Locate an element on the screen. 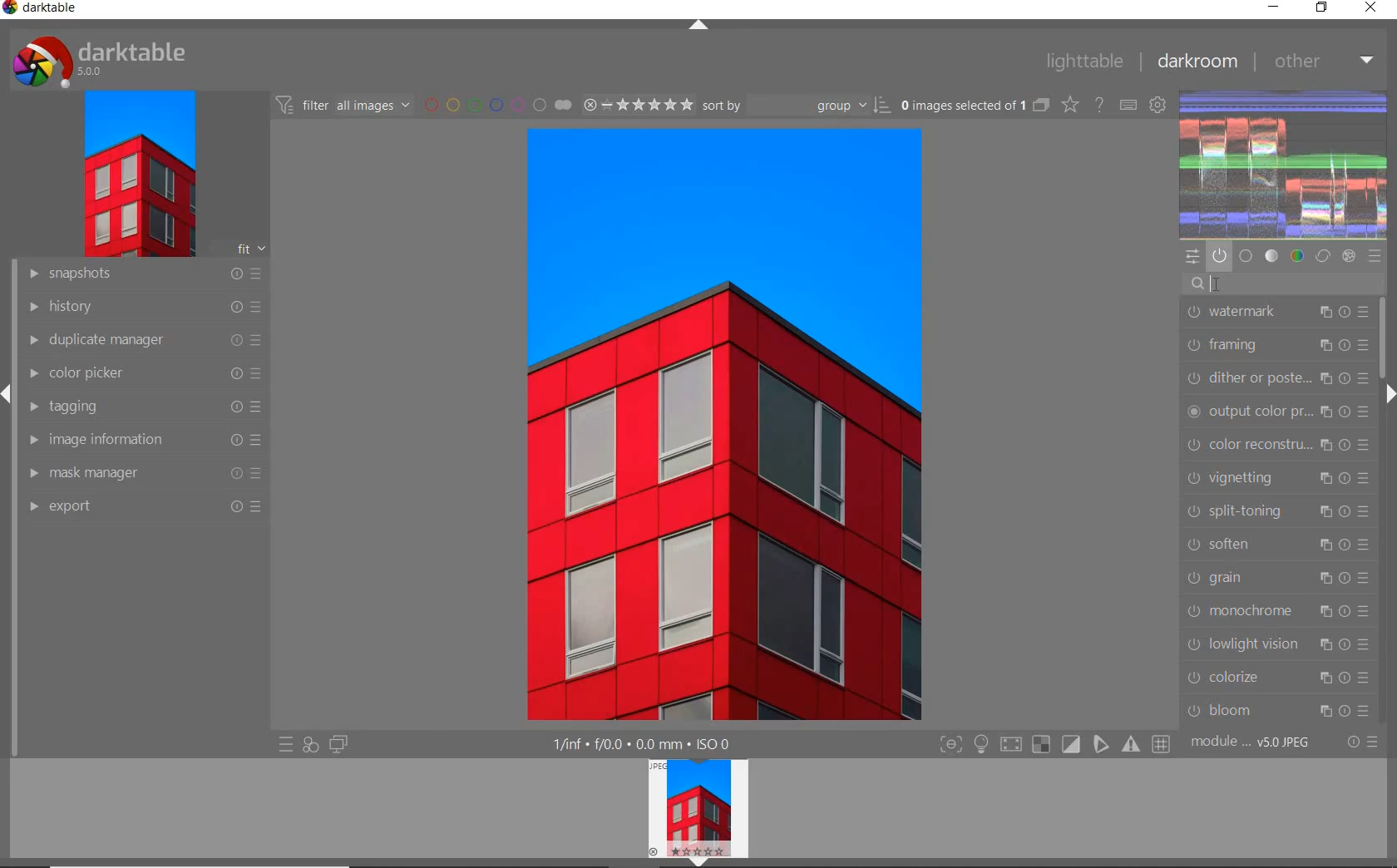  image information is located at coordinates (142, 441).